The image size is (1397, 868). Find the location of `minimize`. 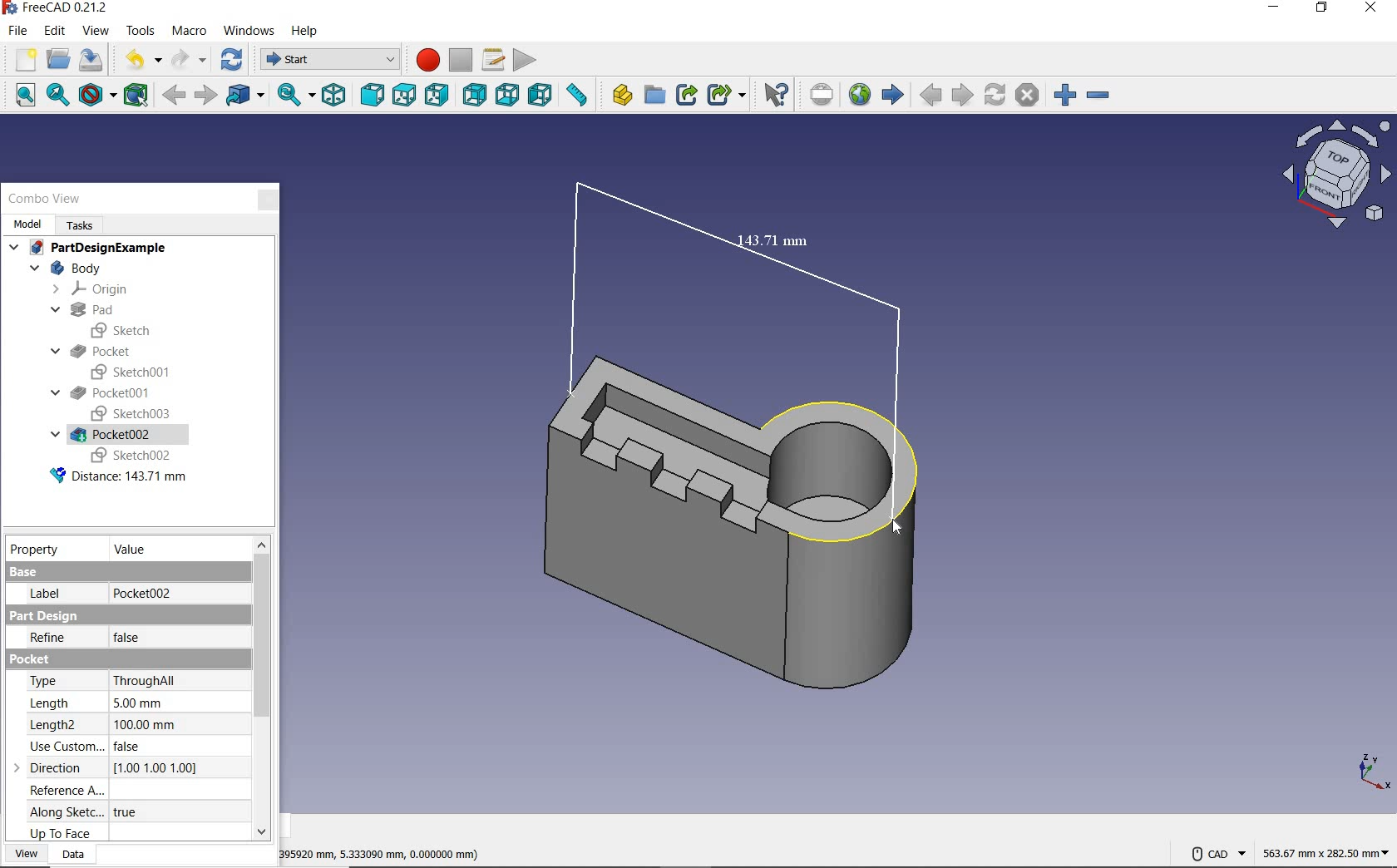

minimize is located at coordinates (1272, 9).